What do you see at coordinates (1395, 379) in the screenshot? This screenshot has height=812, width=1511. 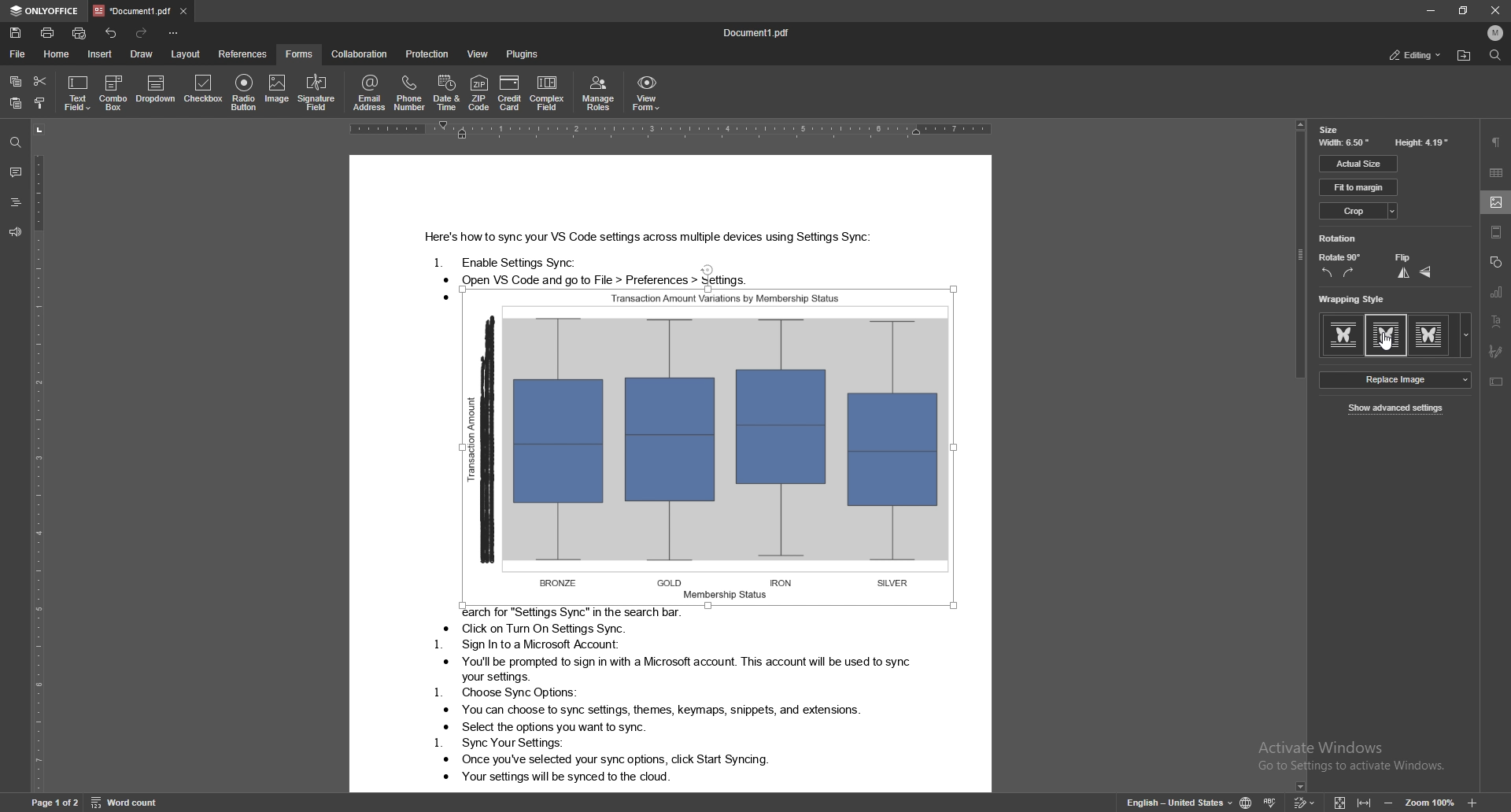 I see `replace image` at bounding box center [1395, 379].